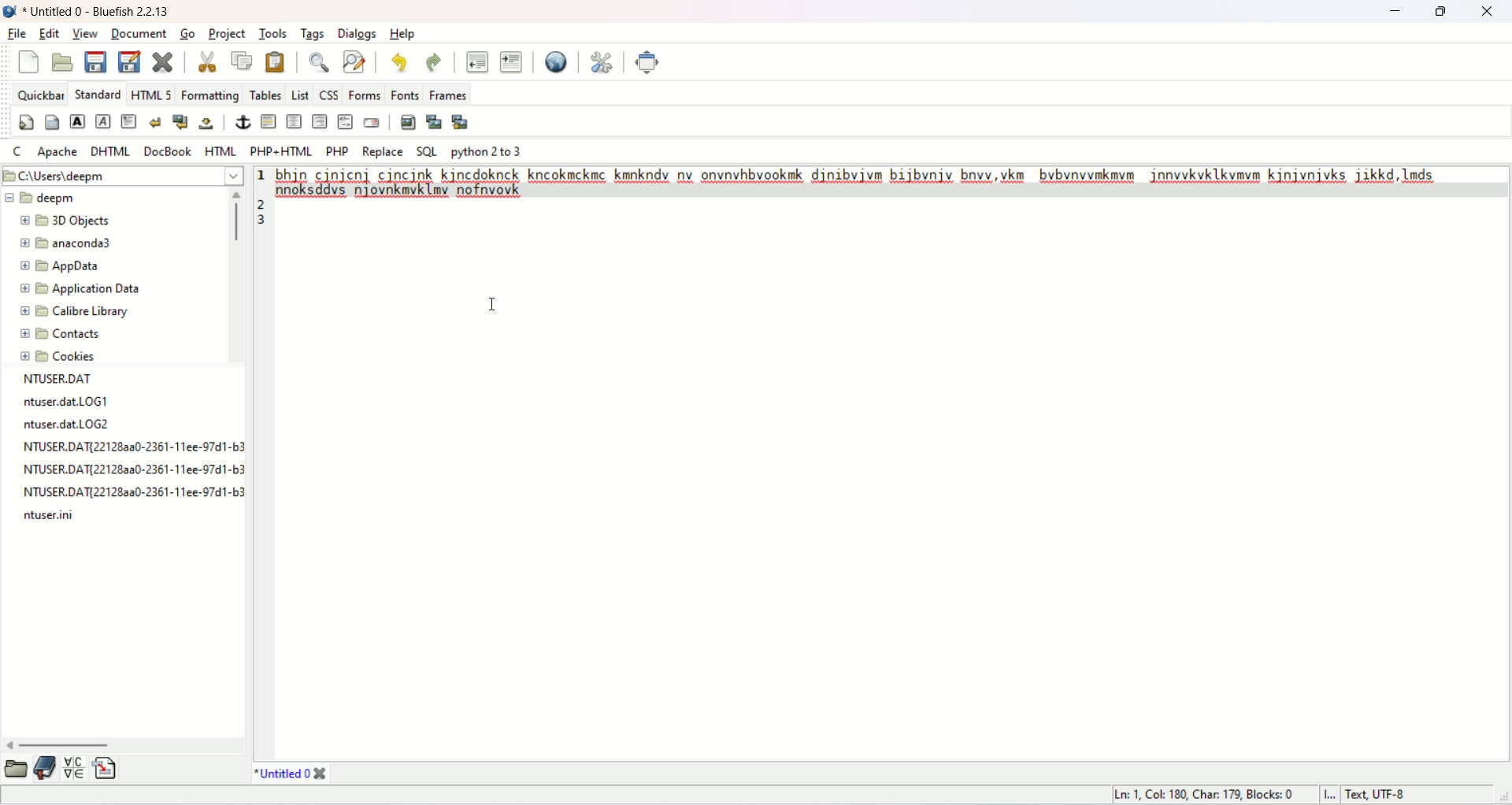 The height and width of the screenshot is (805, 1512). What do you see at coordinates (48, 34) in the screenshot?
I see `edit` at bounding box center [48, 34].